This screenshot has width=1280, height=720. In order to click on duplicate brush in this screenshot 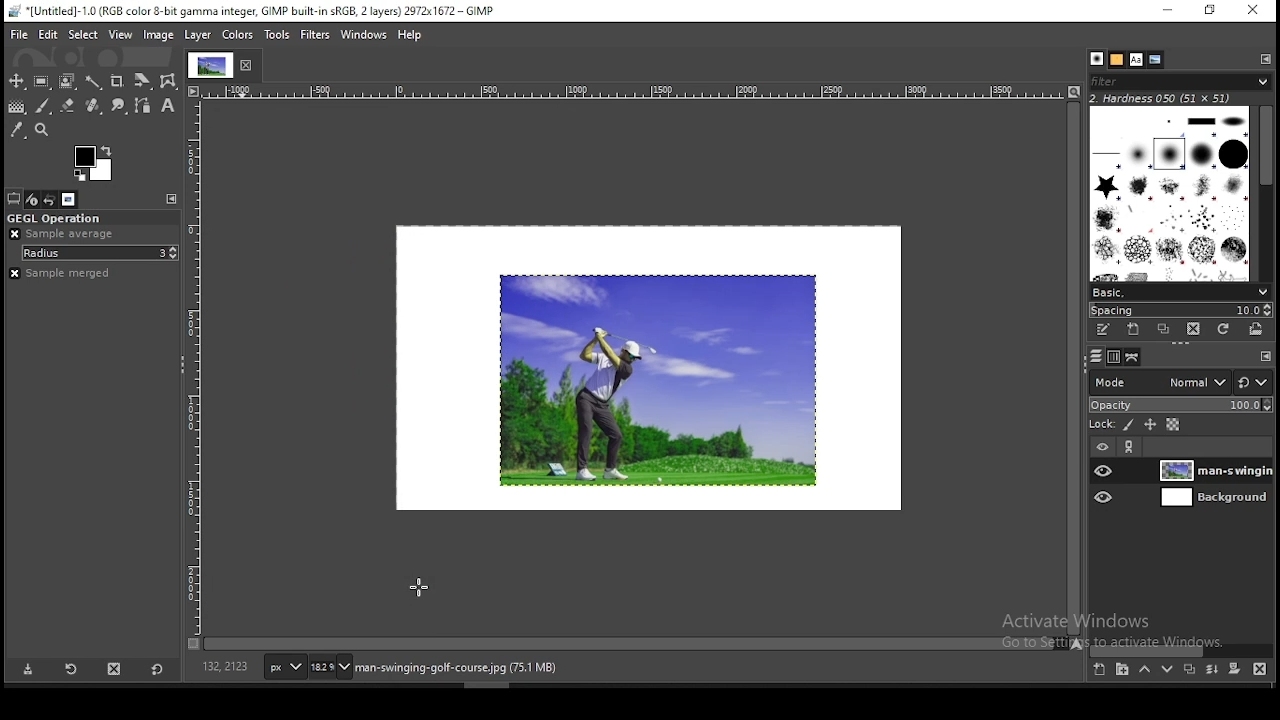, I will do `click(1164, 330)`.